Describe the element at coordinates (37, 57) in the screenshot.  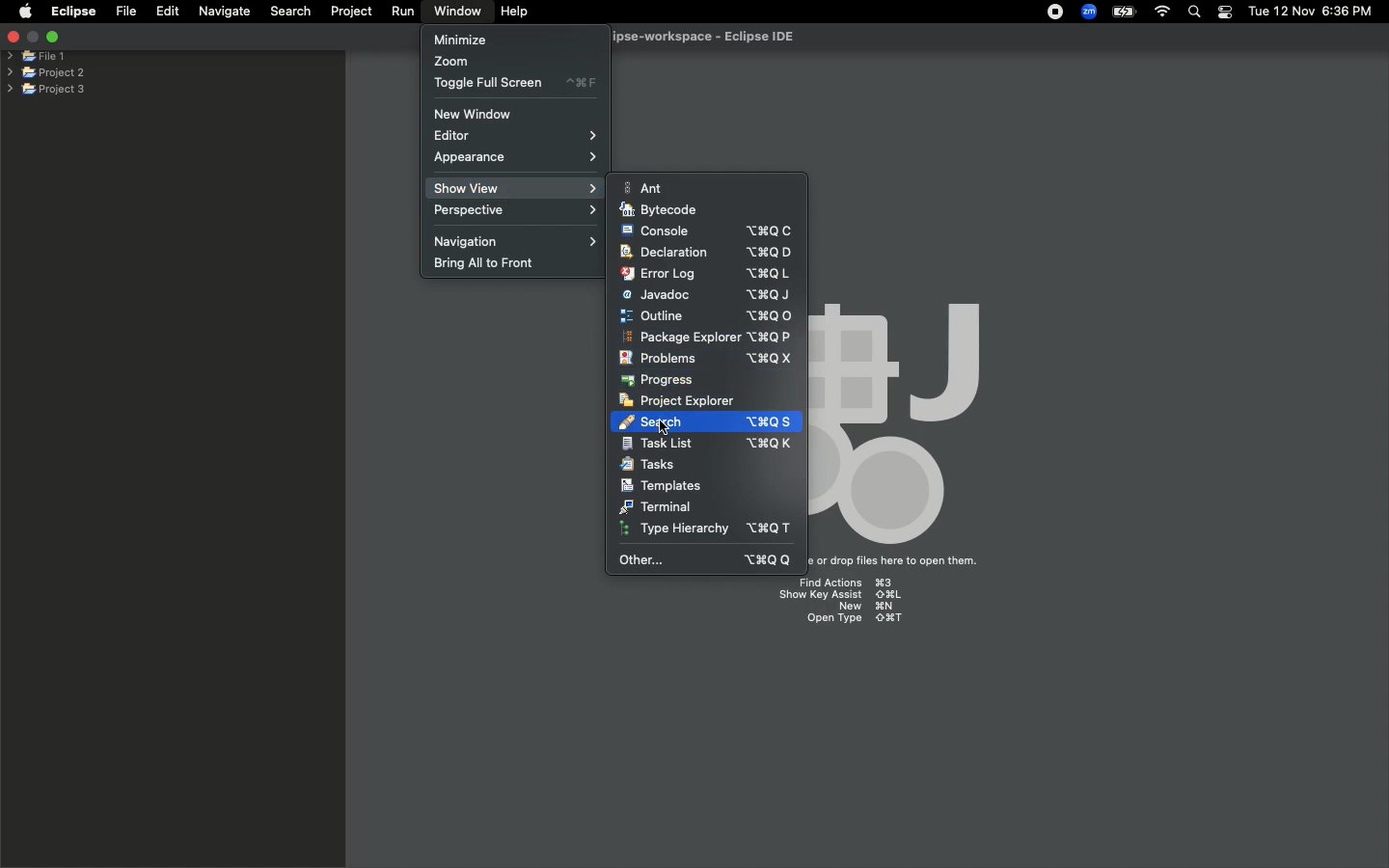
I see `File 1` at that location.